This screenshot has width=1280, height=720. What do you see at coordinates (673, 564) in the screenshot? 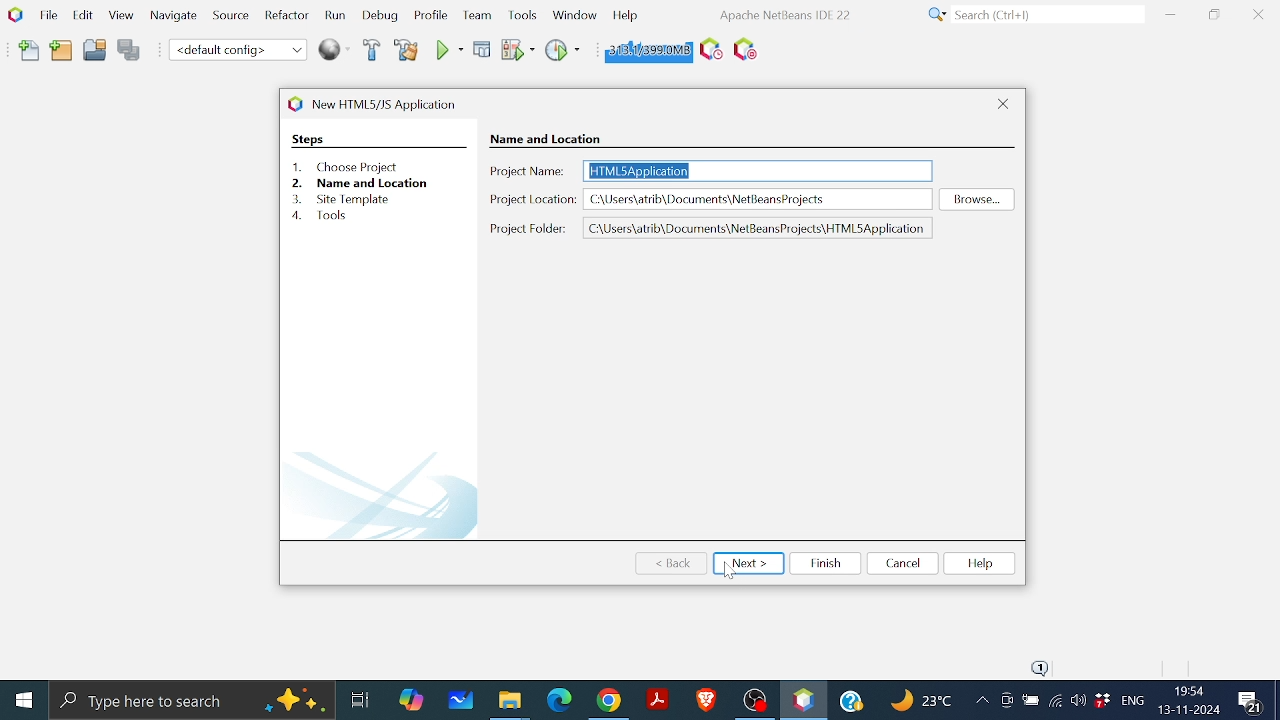
I see `Back` at bounding box center [673, 564].